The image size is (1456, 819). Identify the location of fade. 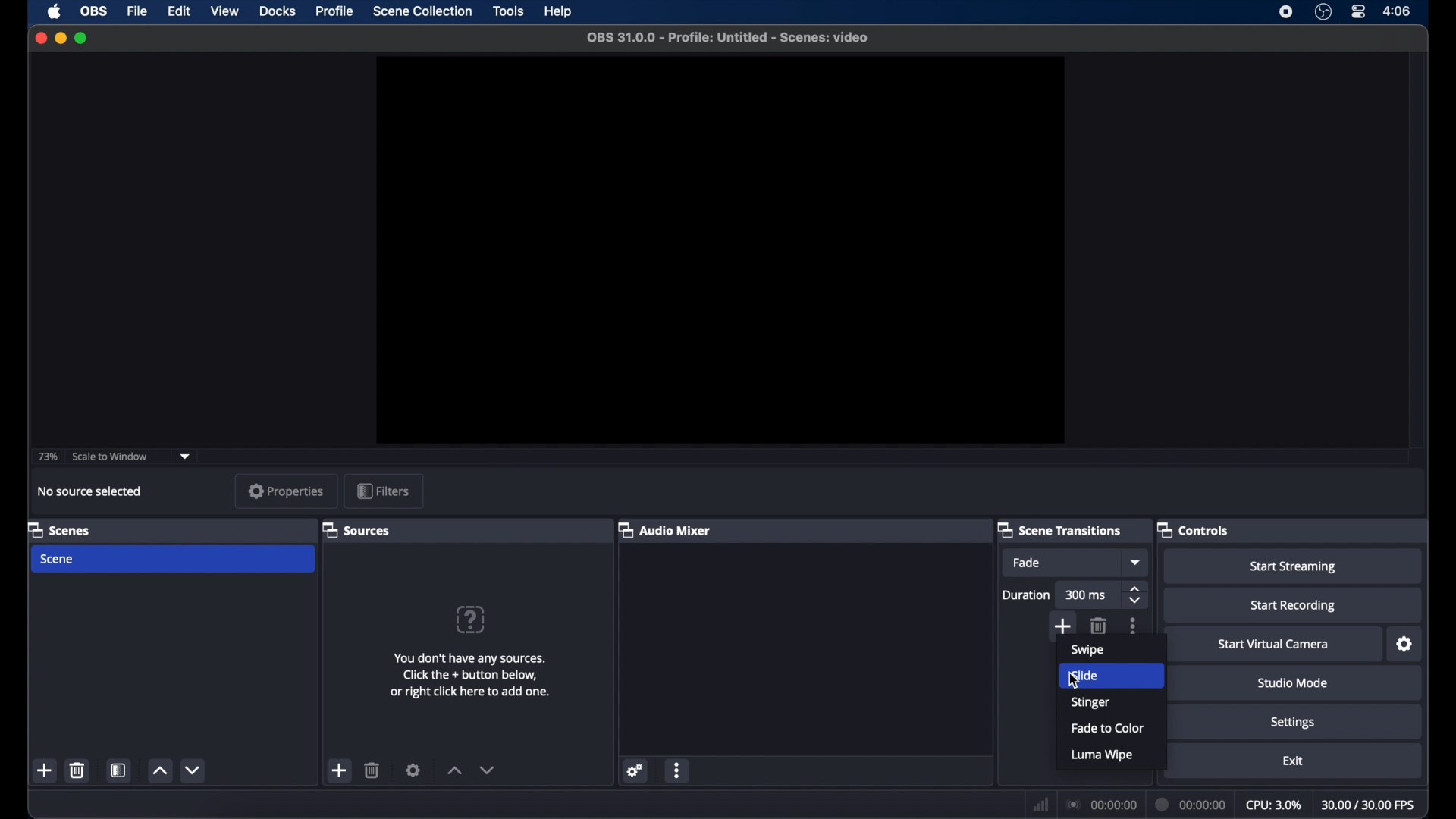
(1028, 563).